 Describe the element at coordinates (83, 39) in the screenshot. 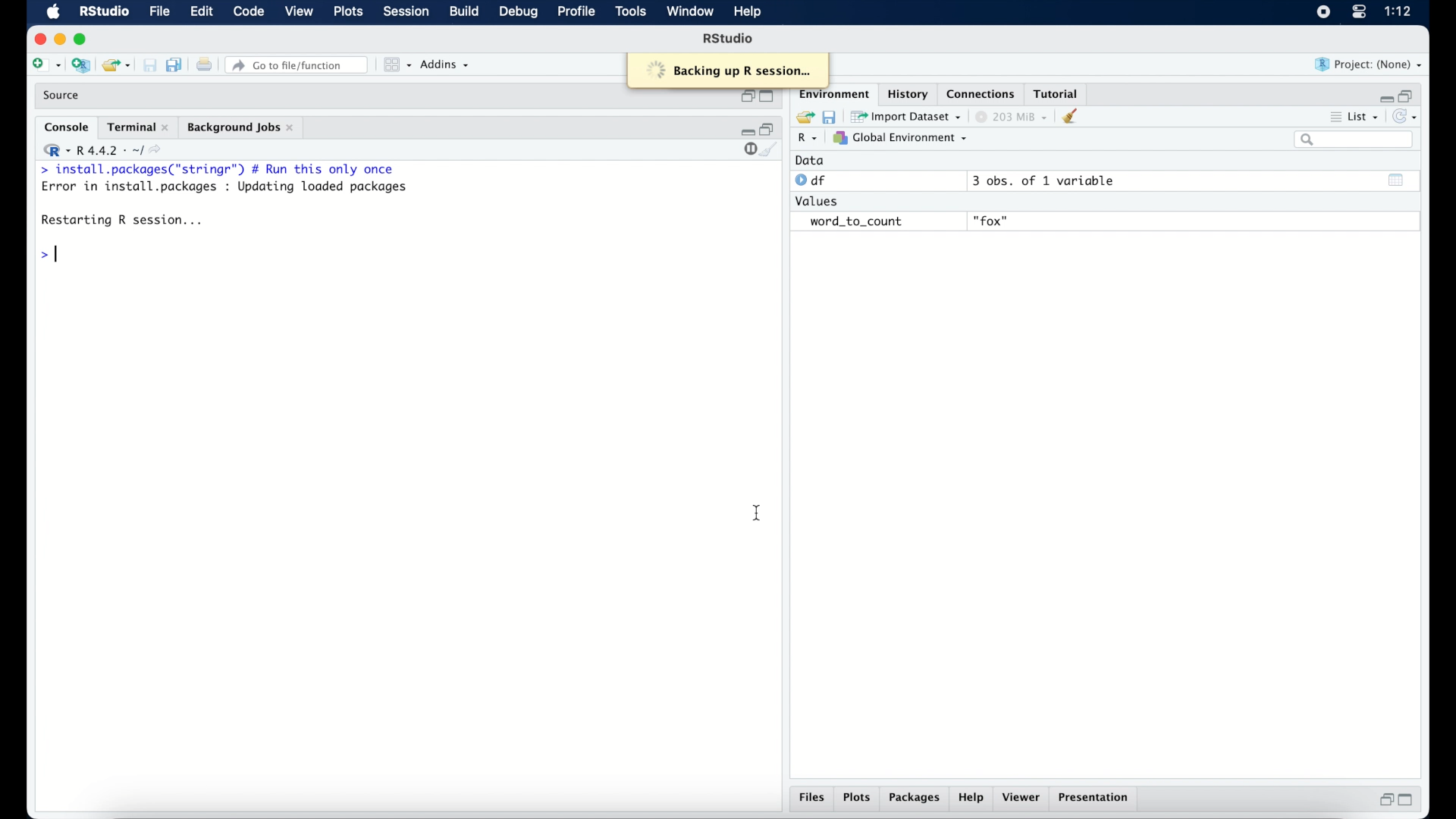

I see `maximize` at that location.